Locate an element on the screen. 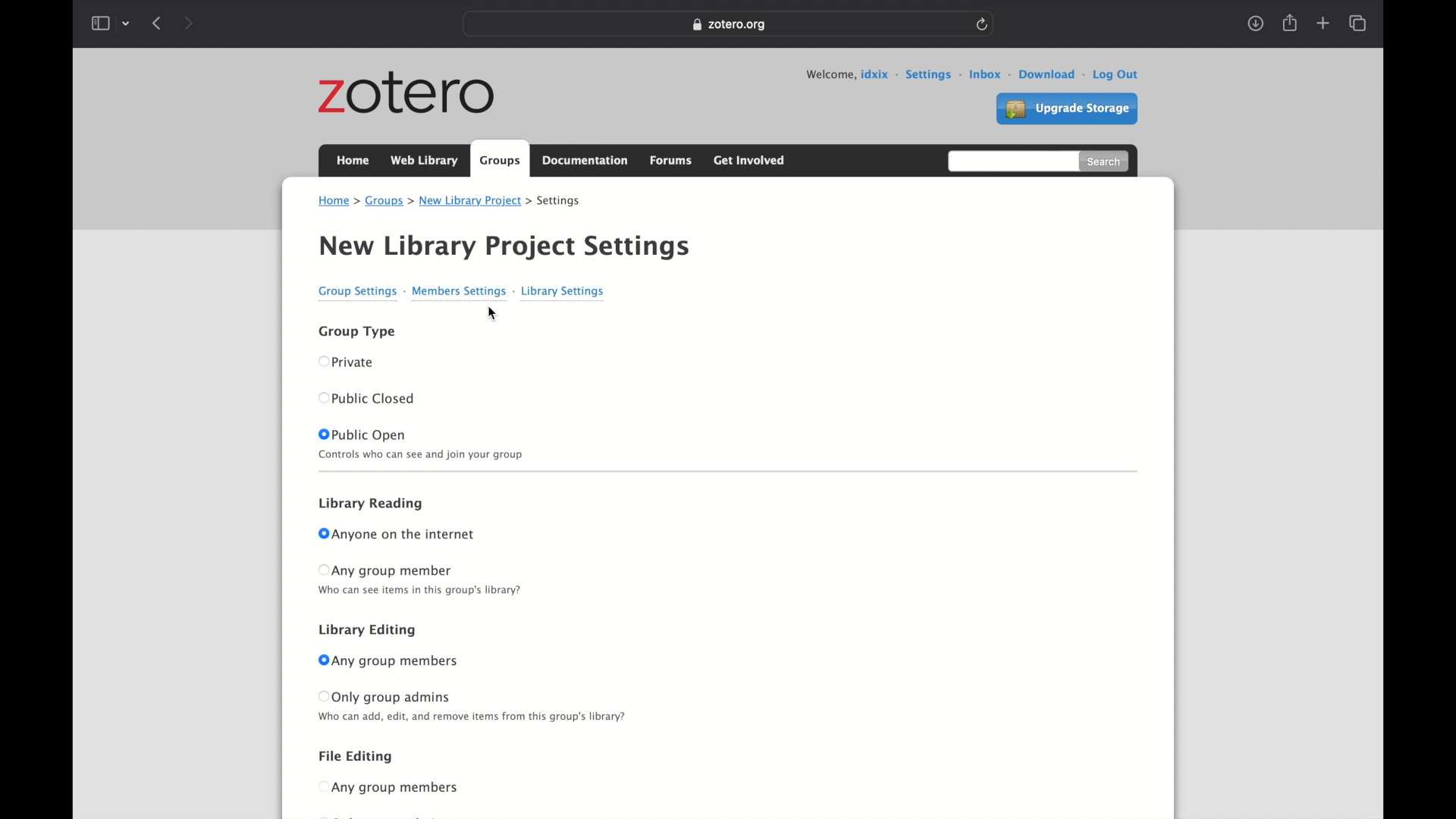 The width and height of the screenshot is (1456, 819). member settings is located at coordinates (463, 291).